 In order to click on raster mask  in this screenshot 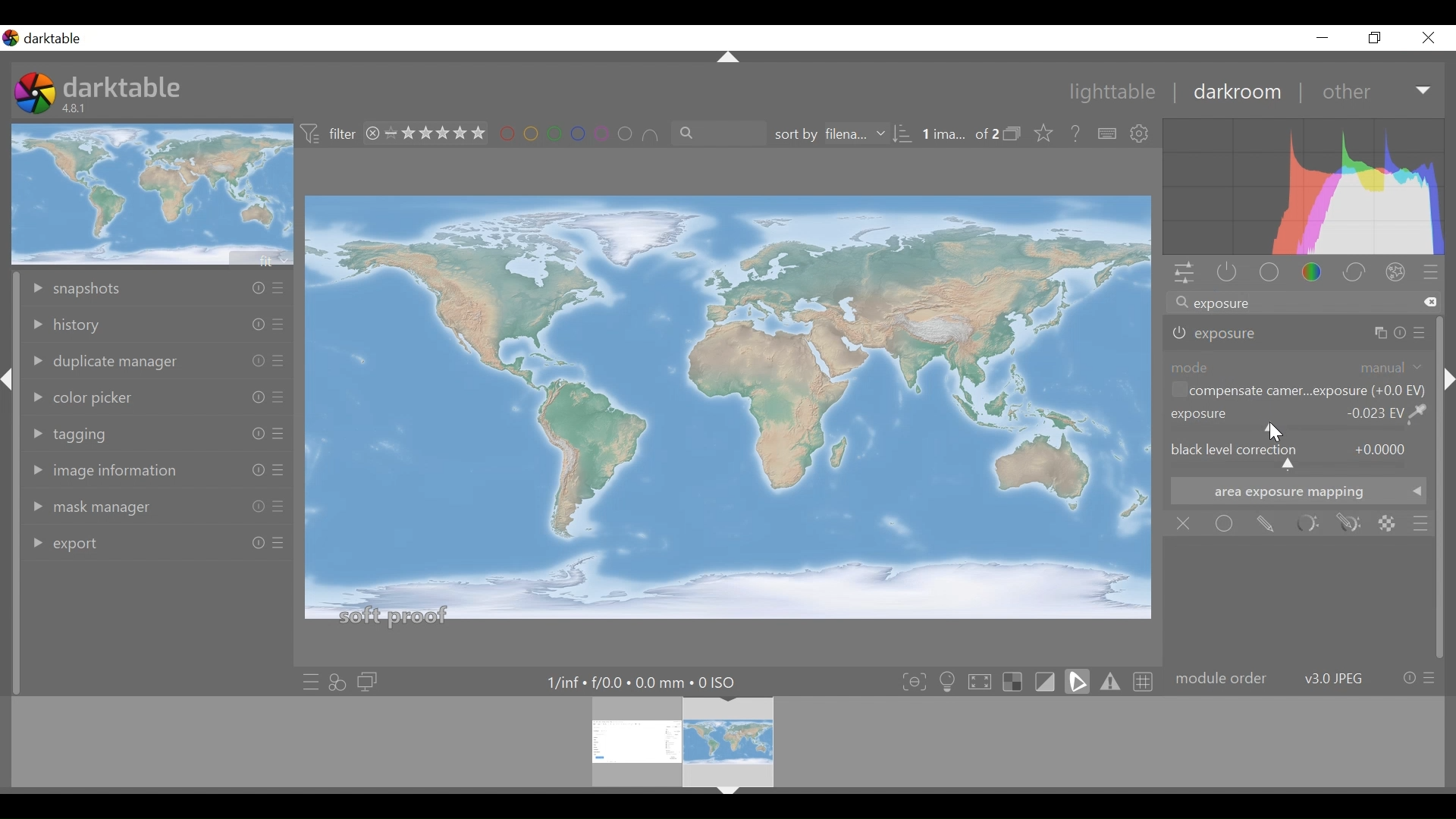, I will do `click(1387, 523)`.